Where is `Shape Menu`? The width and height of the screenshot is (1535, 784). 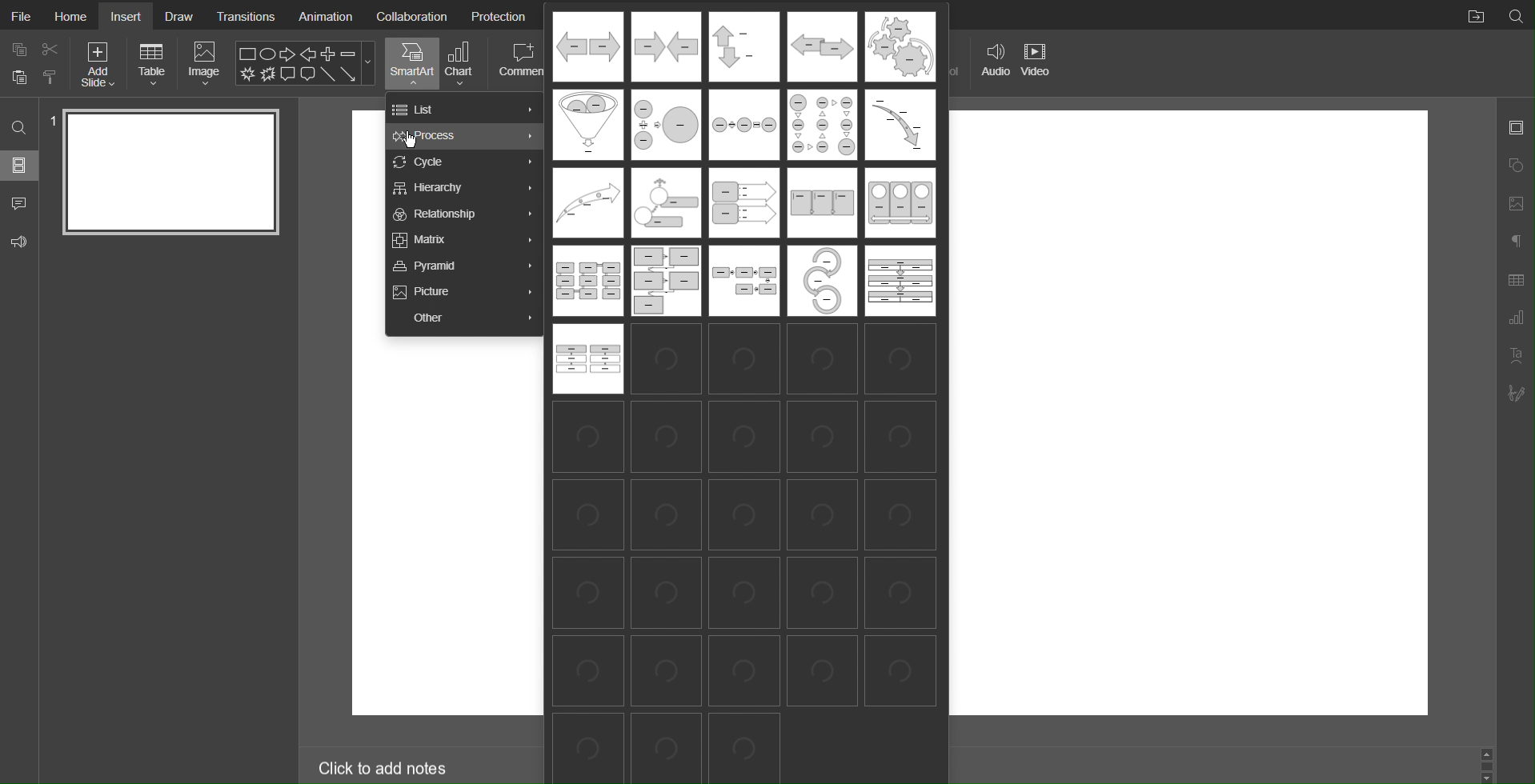
Shape Menu is located at coordinates (306, 62).